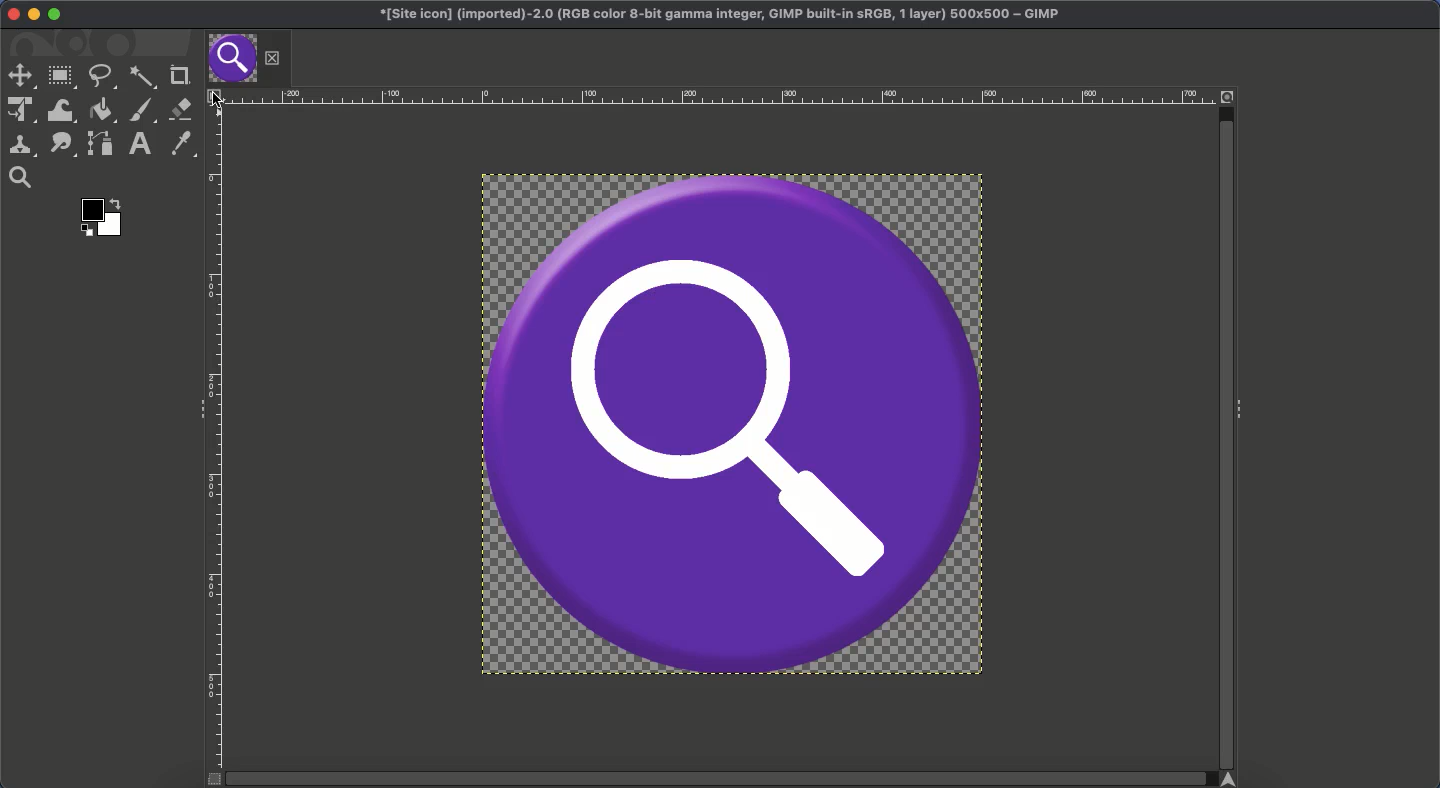  I want to click on Tab, so click(248, 59).